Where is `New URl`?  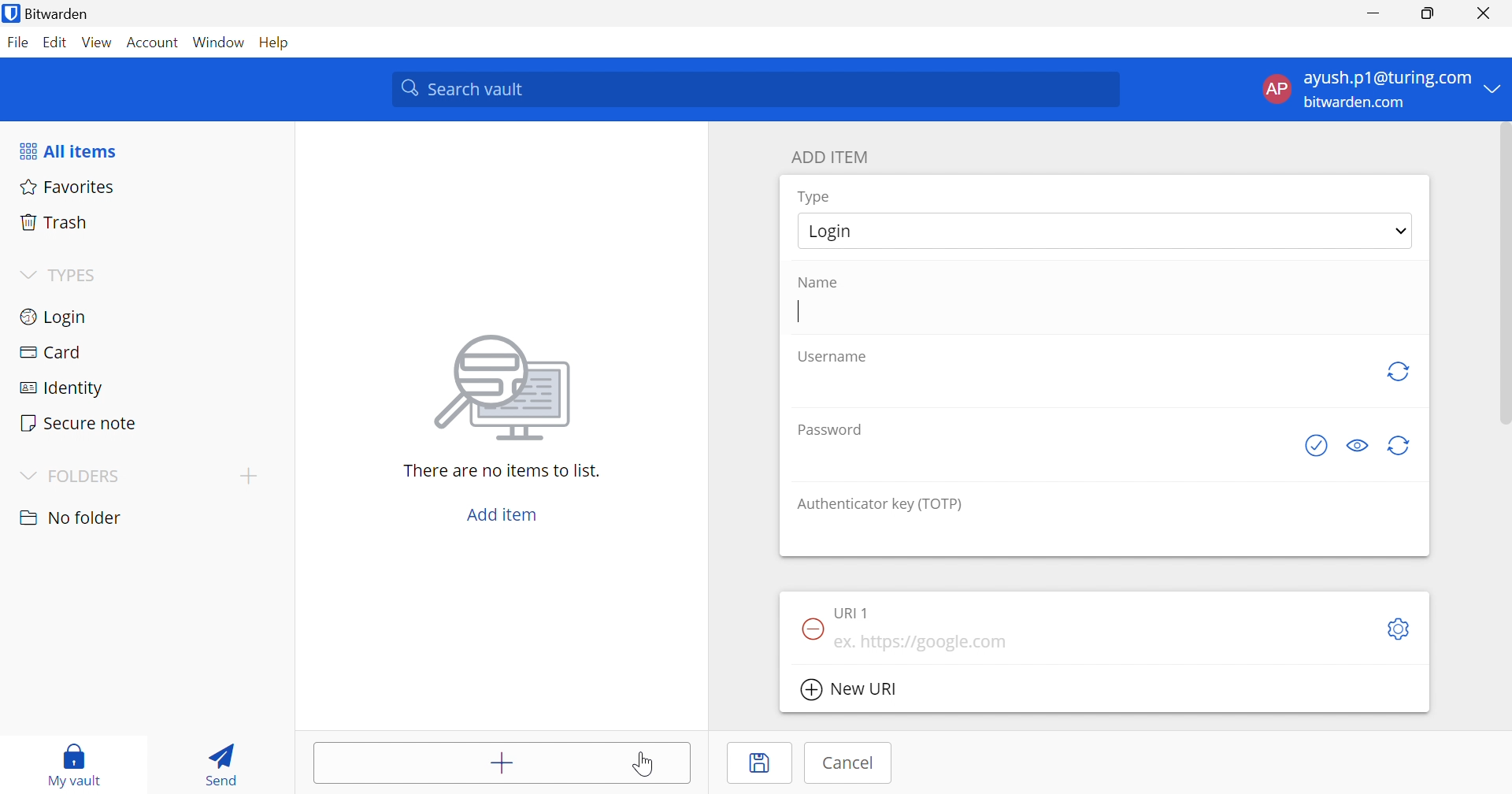
New URl is located at coordinates (849, 690).